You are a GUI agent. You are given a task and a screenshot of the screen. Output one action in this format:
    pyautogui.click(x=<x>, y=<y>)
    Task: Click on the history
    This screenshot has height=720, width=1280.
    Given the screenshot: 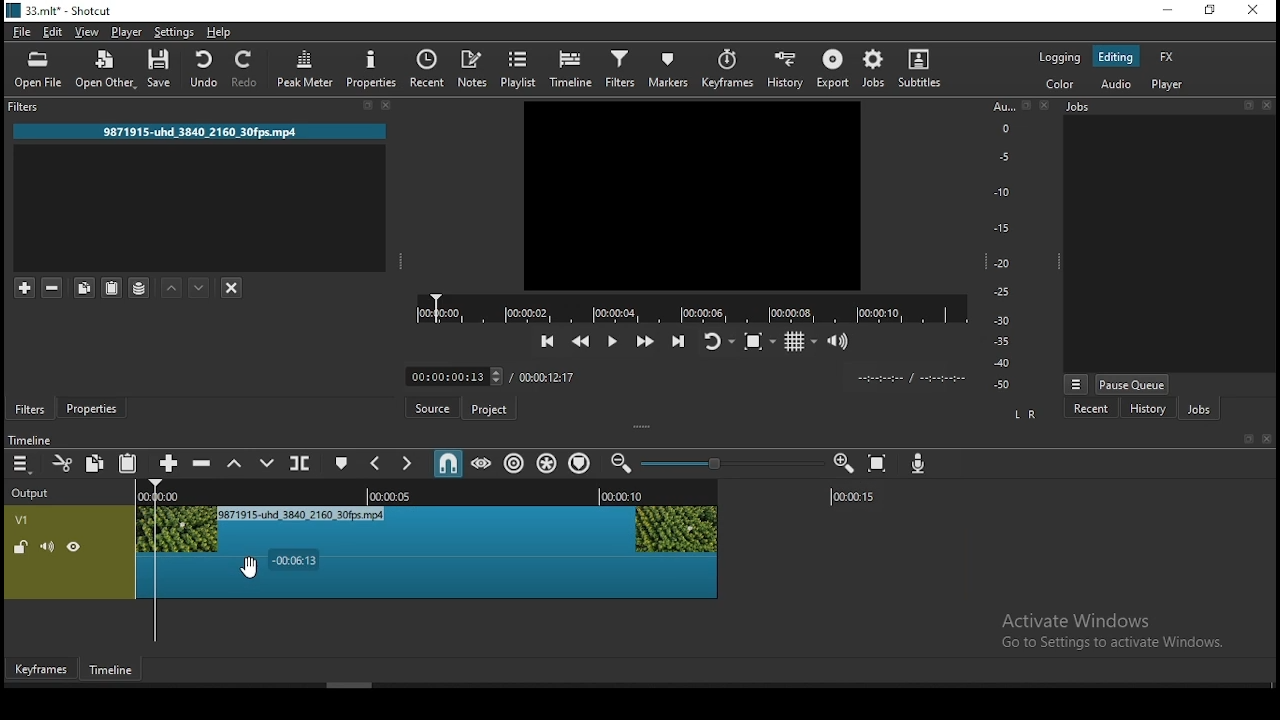 What is the action you would take?
    pyautogui.click(x=1146, y=408)
    